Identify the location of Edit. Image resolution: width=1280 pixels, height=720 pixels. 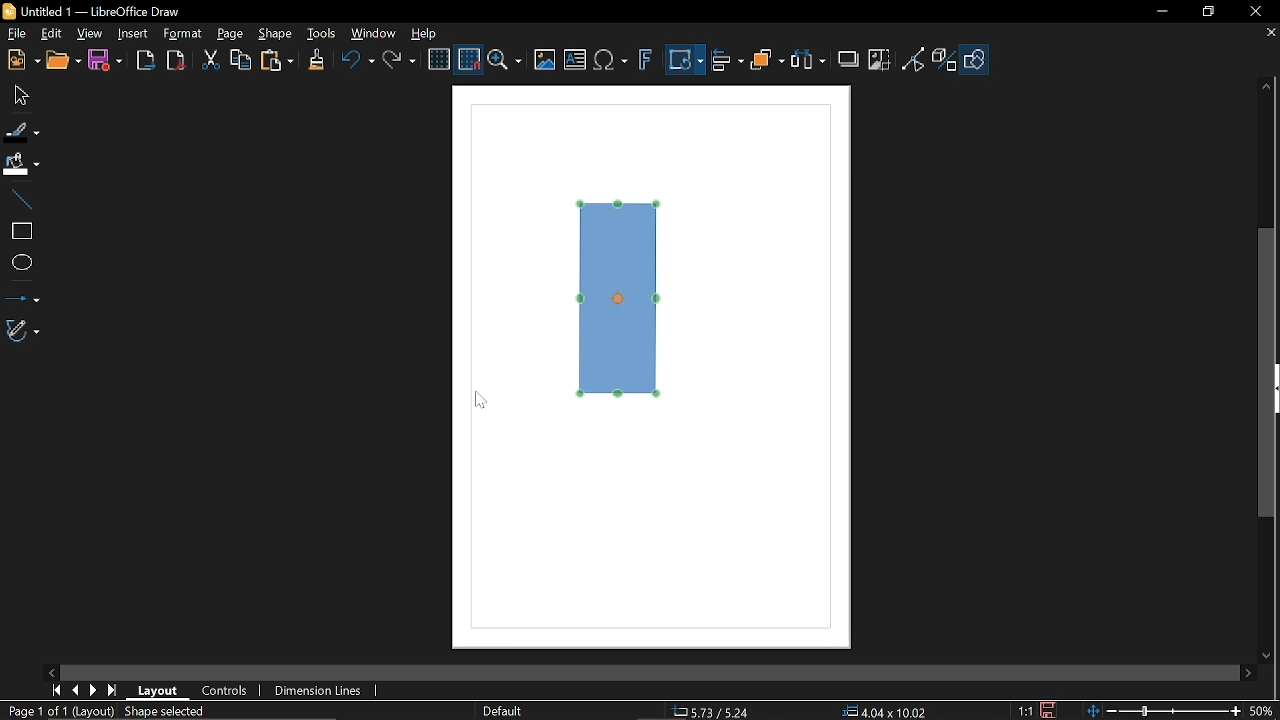
(50, 34).